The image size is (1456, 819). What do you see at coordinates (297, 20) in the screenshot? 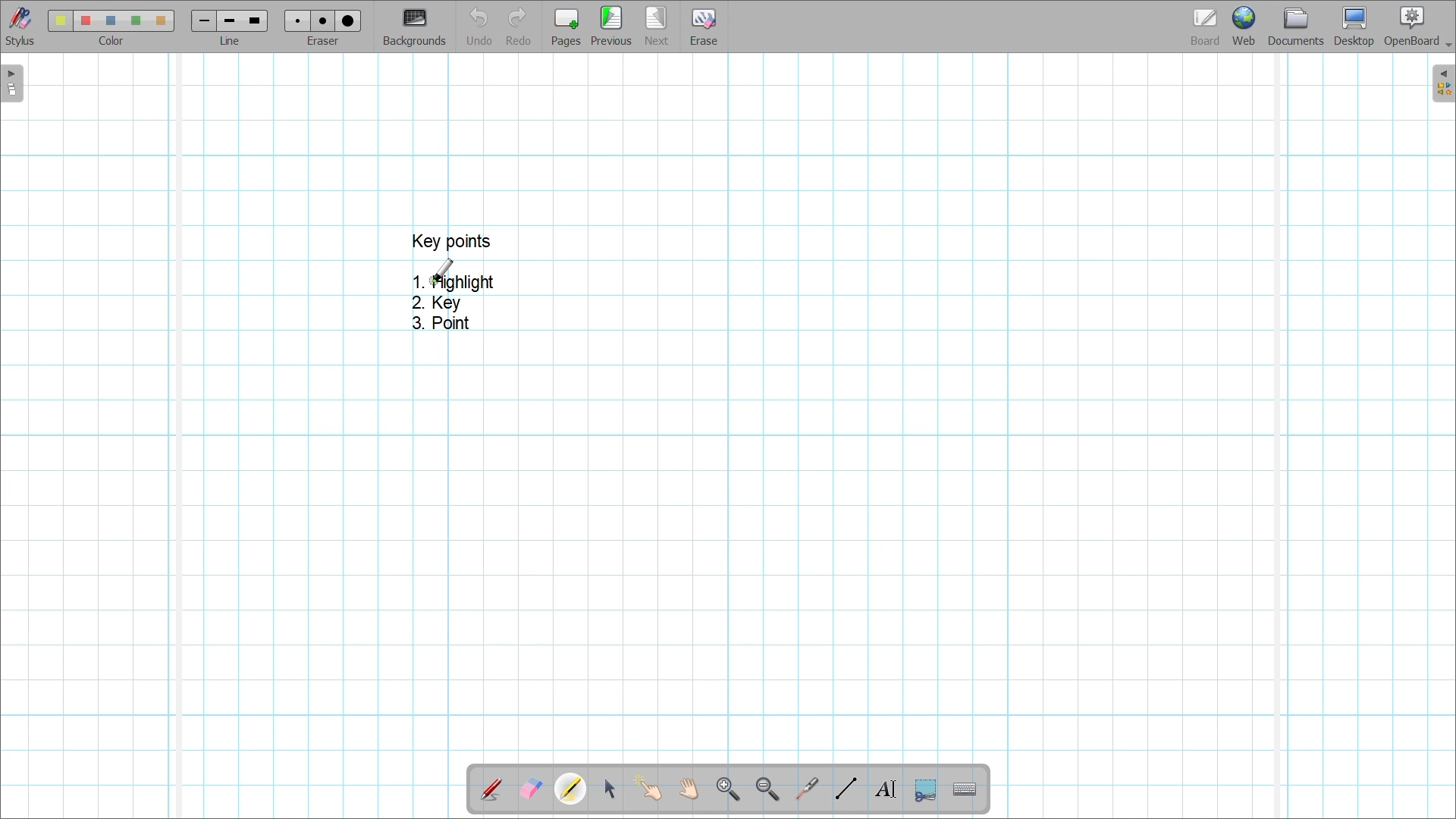
I see `Eraser 1` at bounding box center [297, 20].